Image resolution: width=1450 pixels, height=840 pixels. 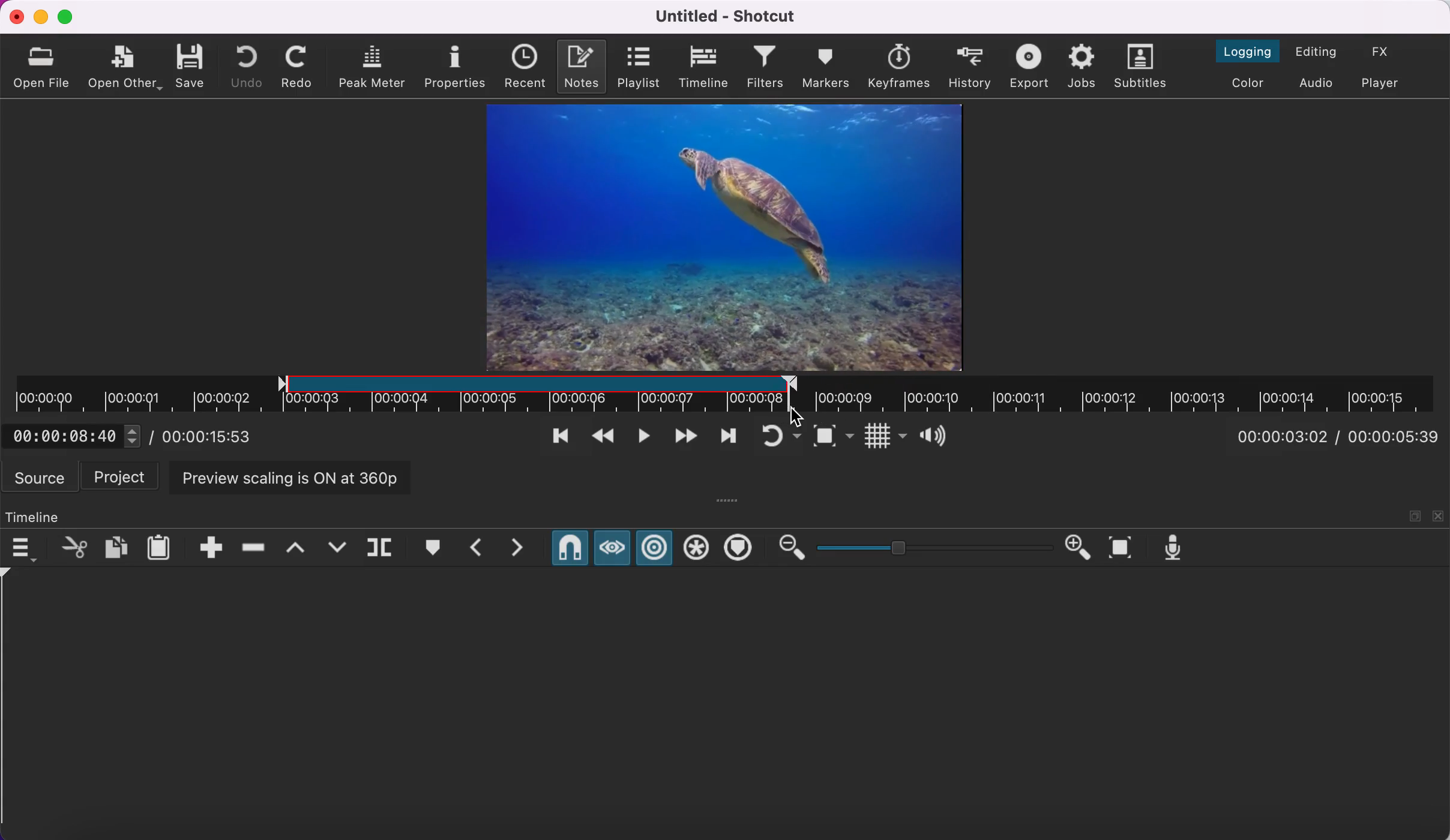 I want to click on next marker, so click(x=520, y=548).